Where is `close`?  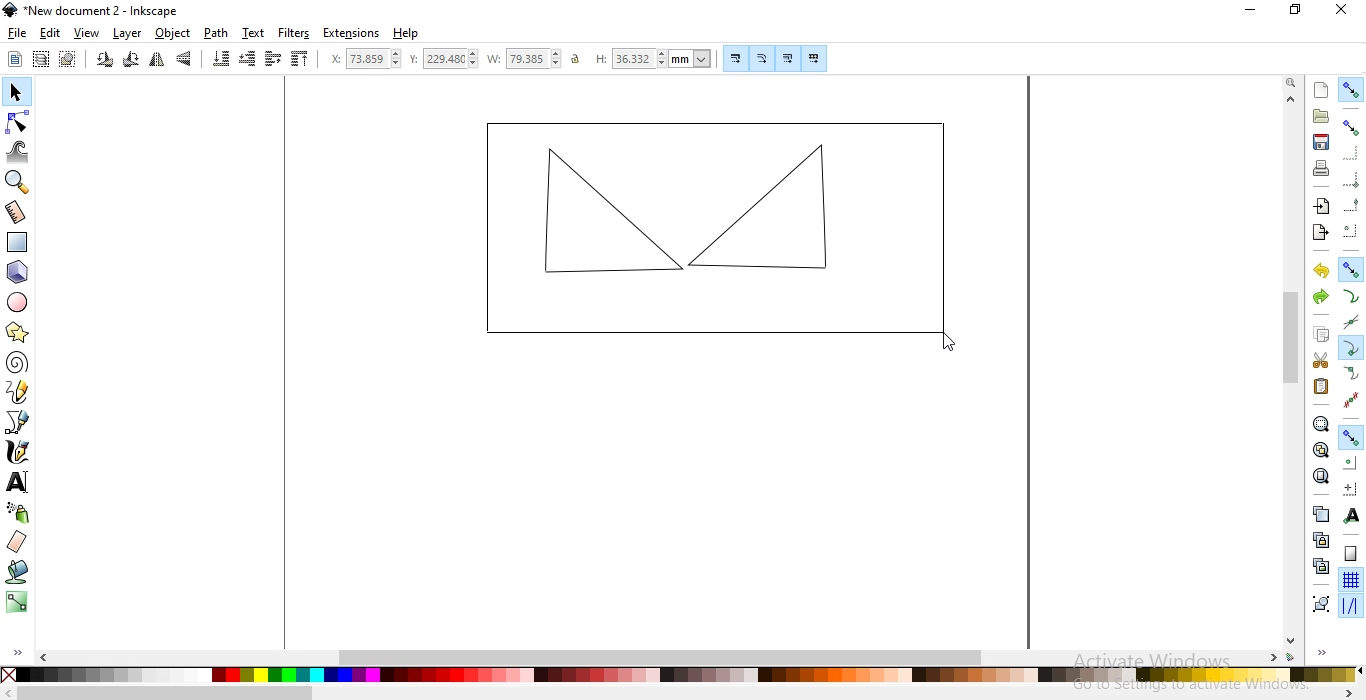
close is located at coordinates (1340, 14).